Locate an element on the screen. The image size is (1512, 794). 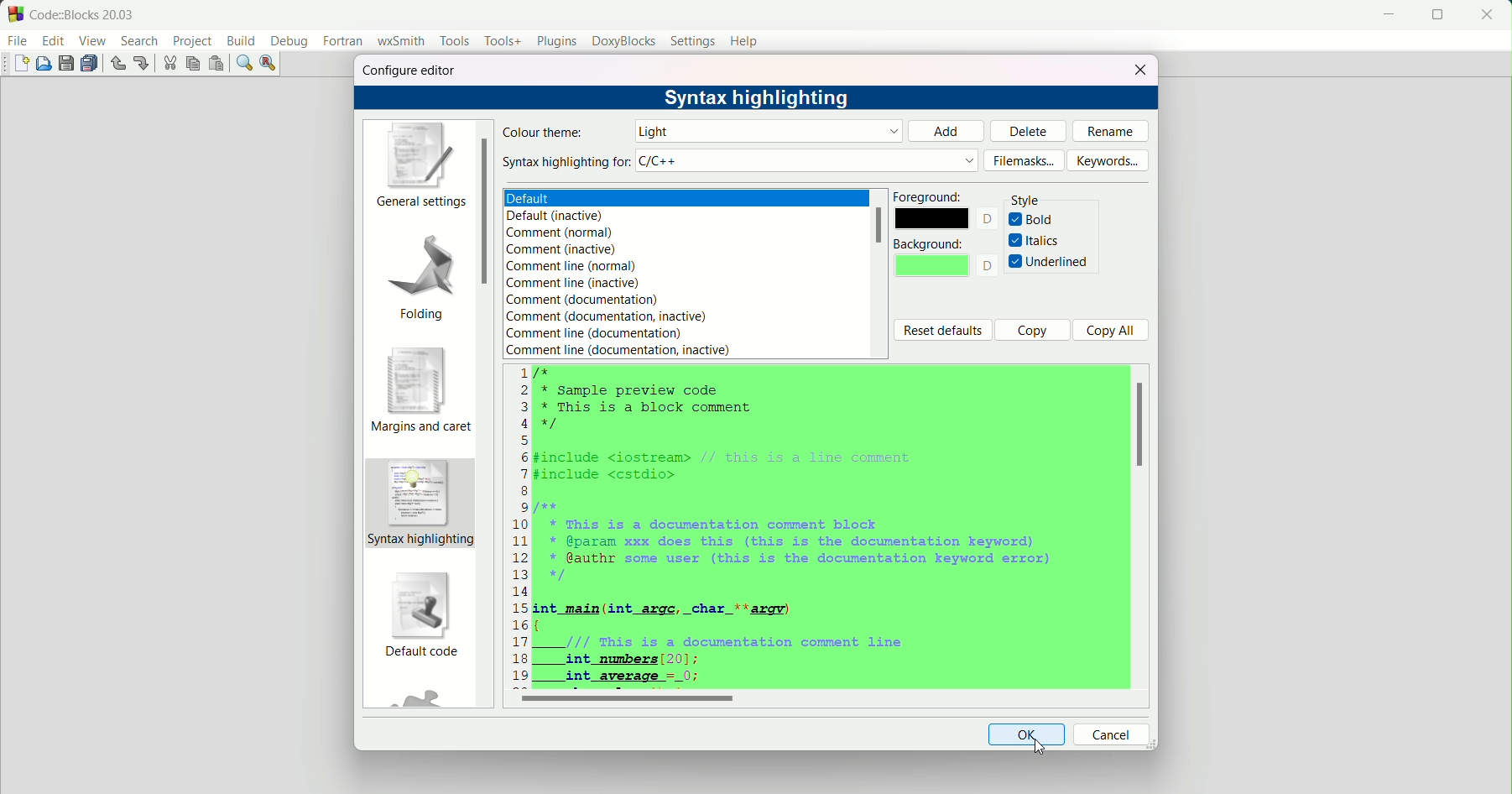
foreground is located at coordinates (931, 196).